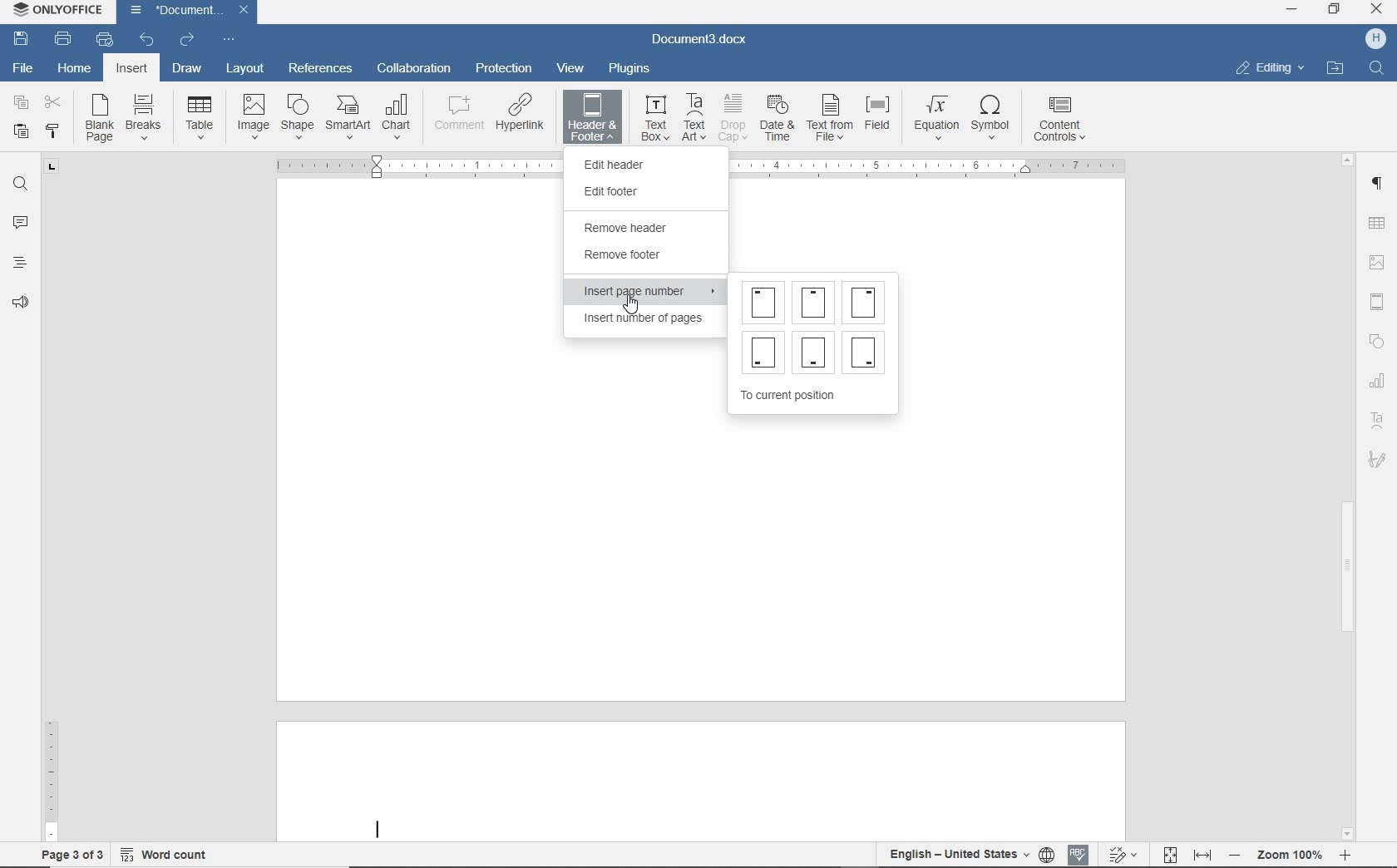 The width and height of the screenshot is (1397, 868). I want to click on Read aloud and accessibility, so click(22, 303).